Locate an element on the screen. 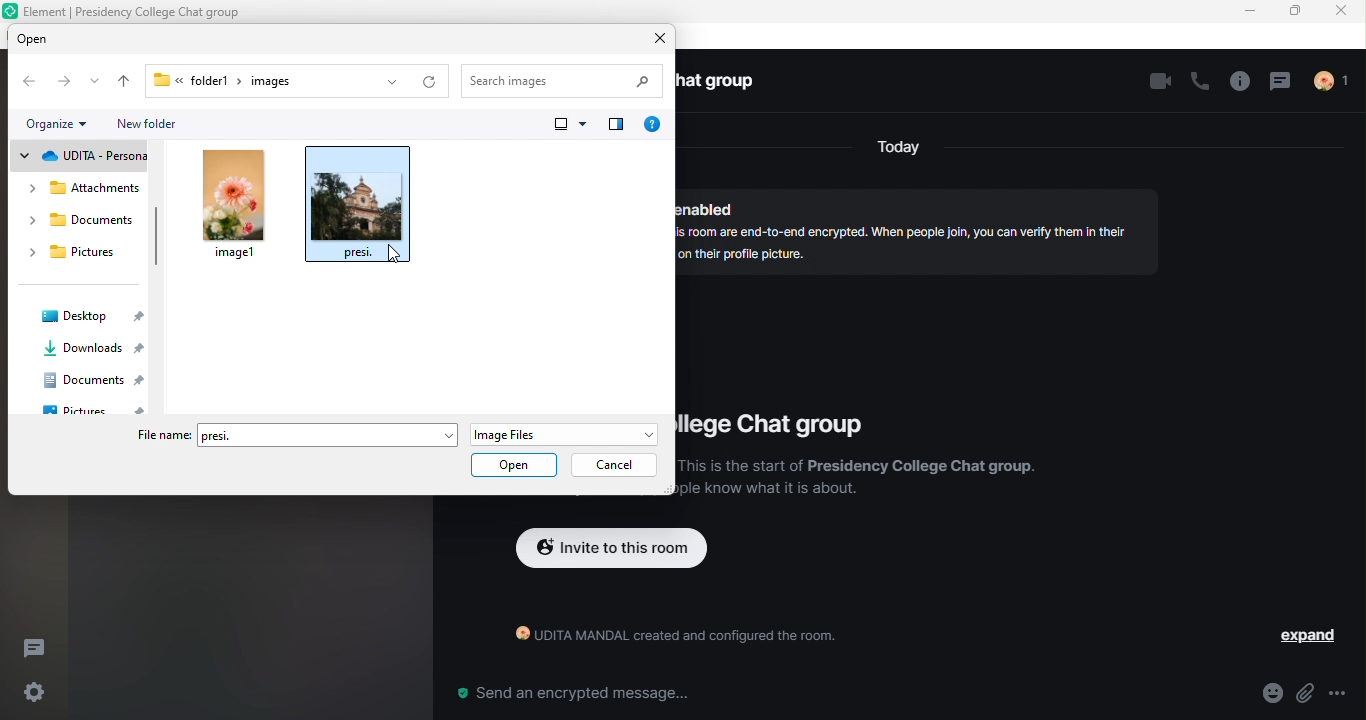  voice call is located at coordinates (1198, 84).